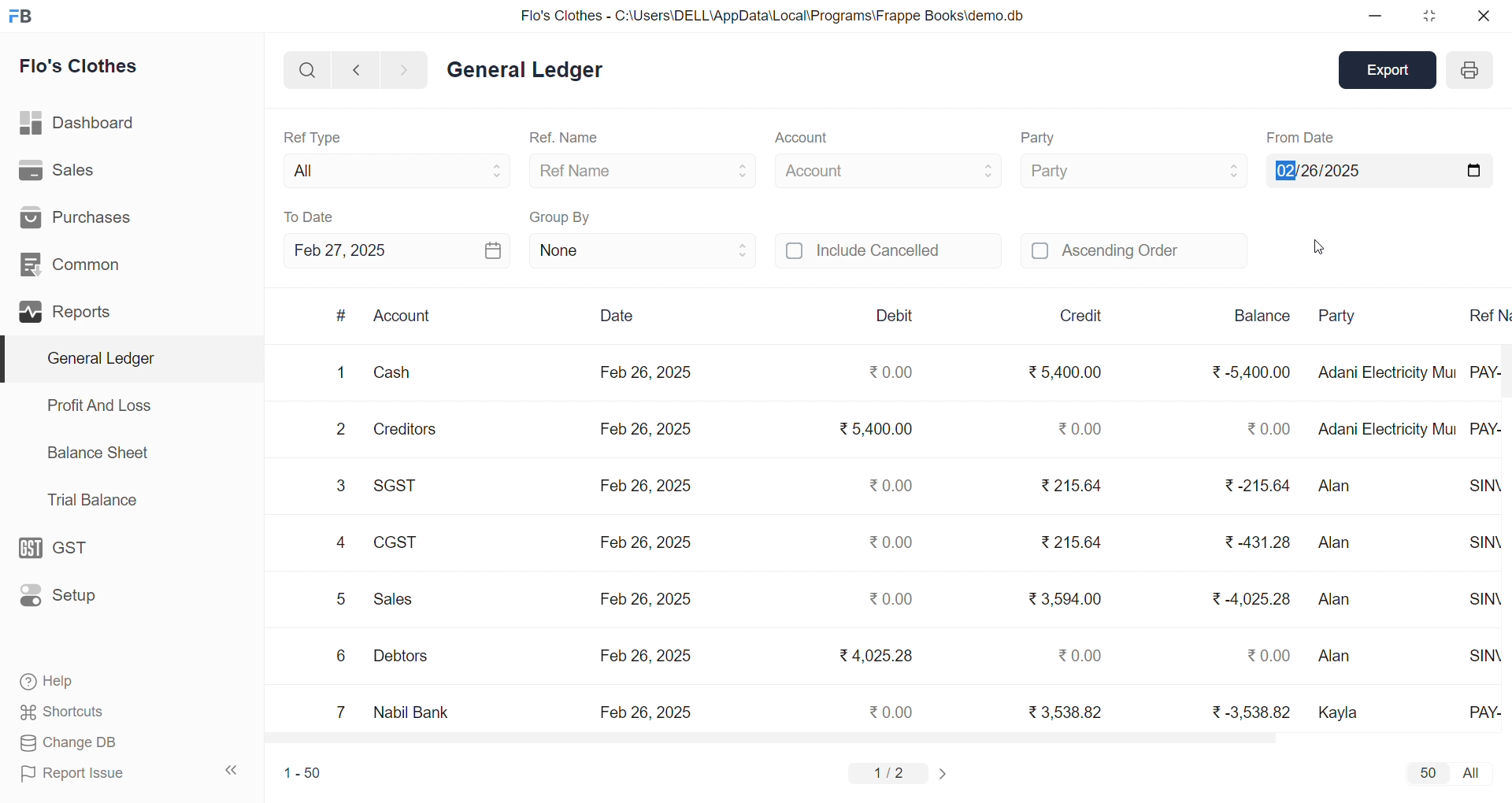 This screenshot has height=803, width=1512. What do you see at coordinates (1484, 370) in the screenshot?
I see `PAY-` at bounding box center [1484, 370].